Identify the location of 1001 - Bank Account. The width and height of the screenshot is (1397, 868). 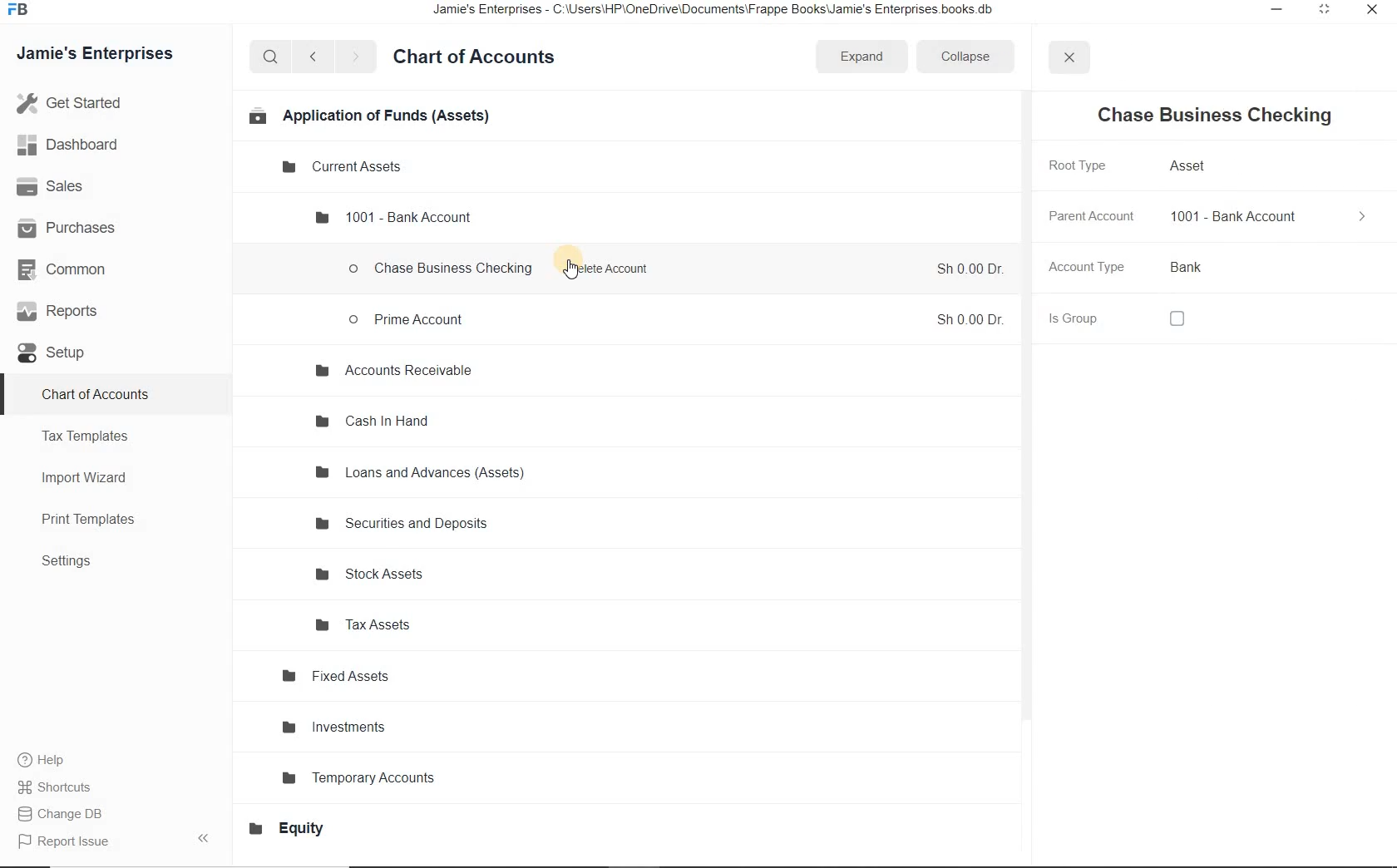
(393, 216).